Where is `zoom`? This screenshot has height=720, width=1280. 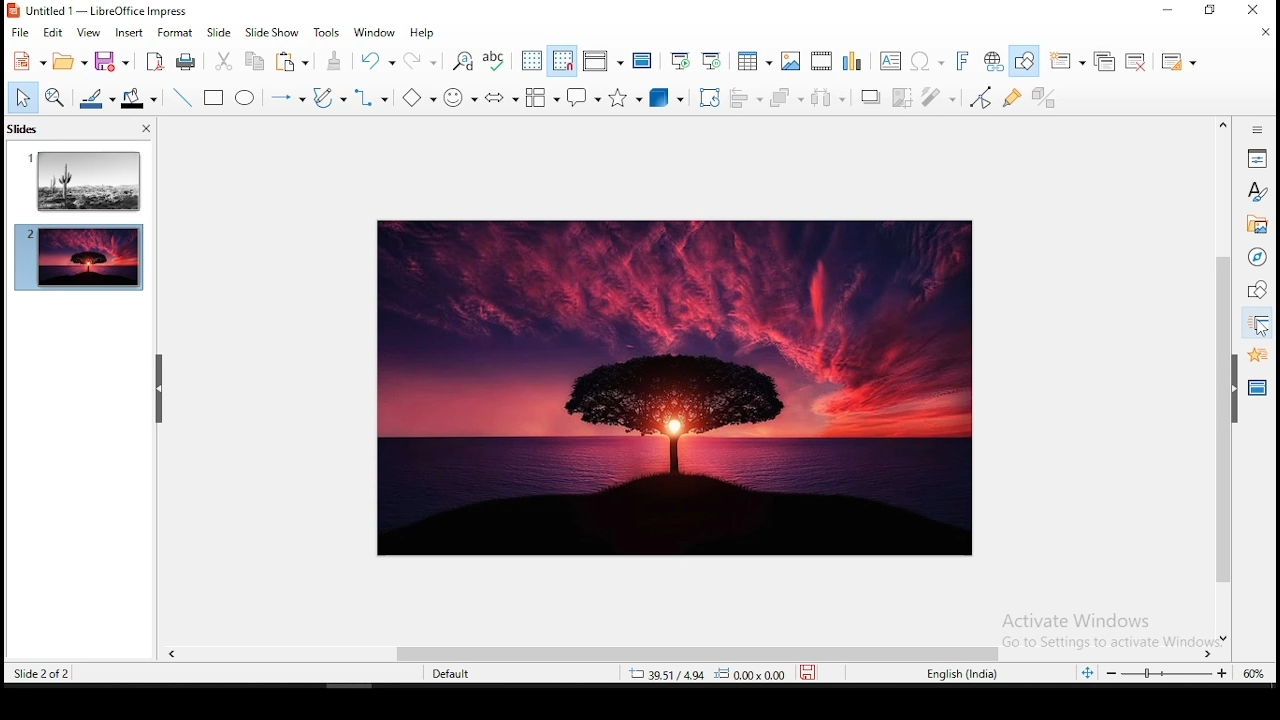
zoom is located at coordinates (1165, 672).